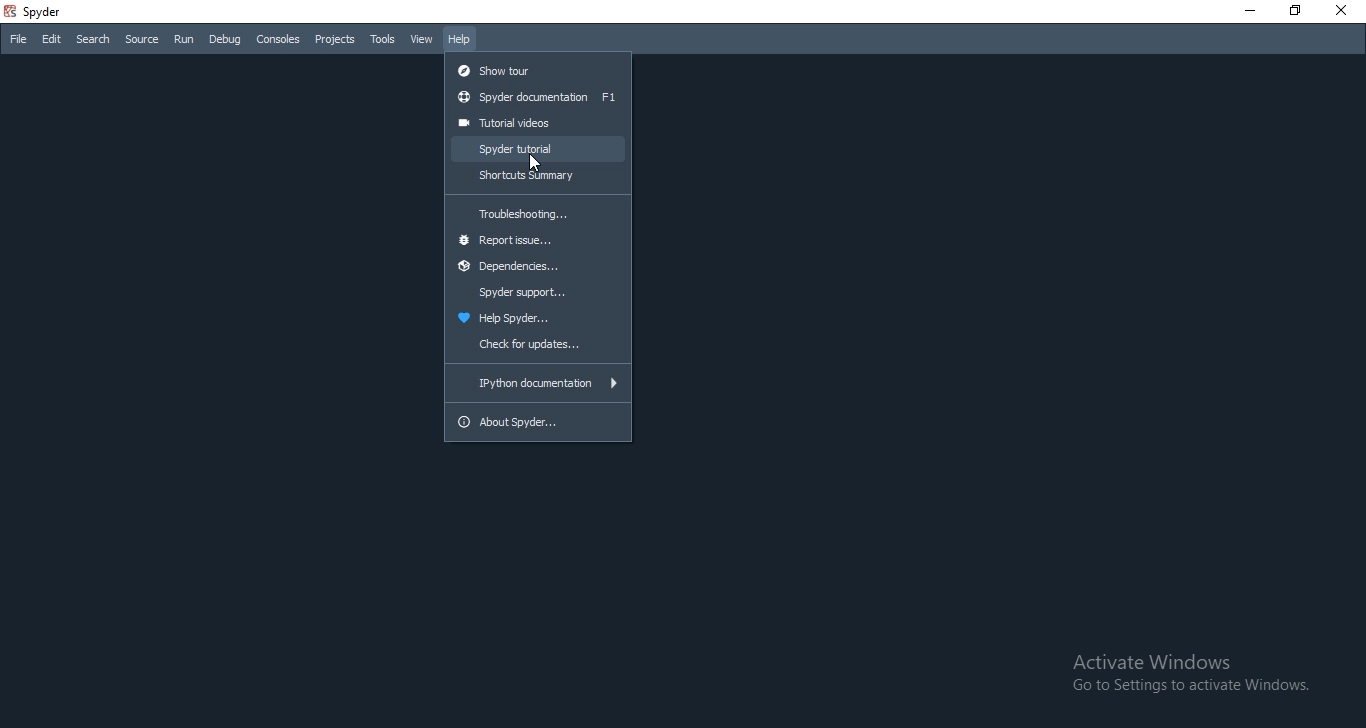  What do you see at coordinates (223, 38) in the screenshot?
I see `Debug` at bounding box center [223, 38].